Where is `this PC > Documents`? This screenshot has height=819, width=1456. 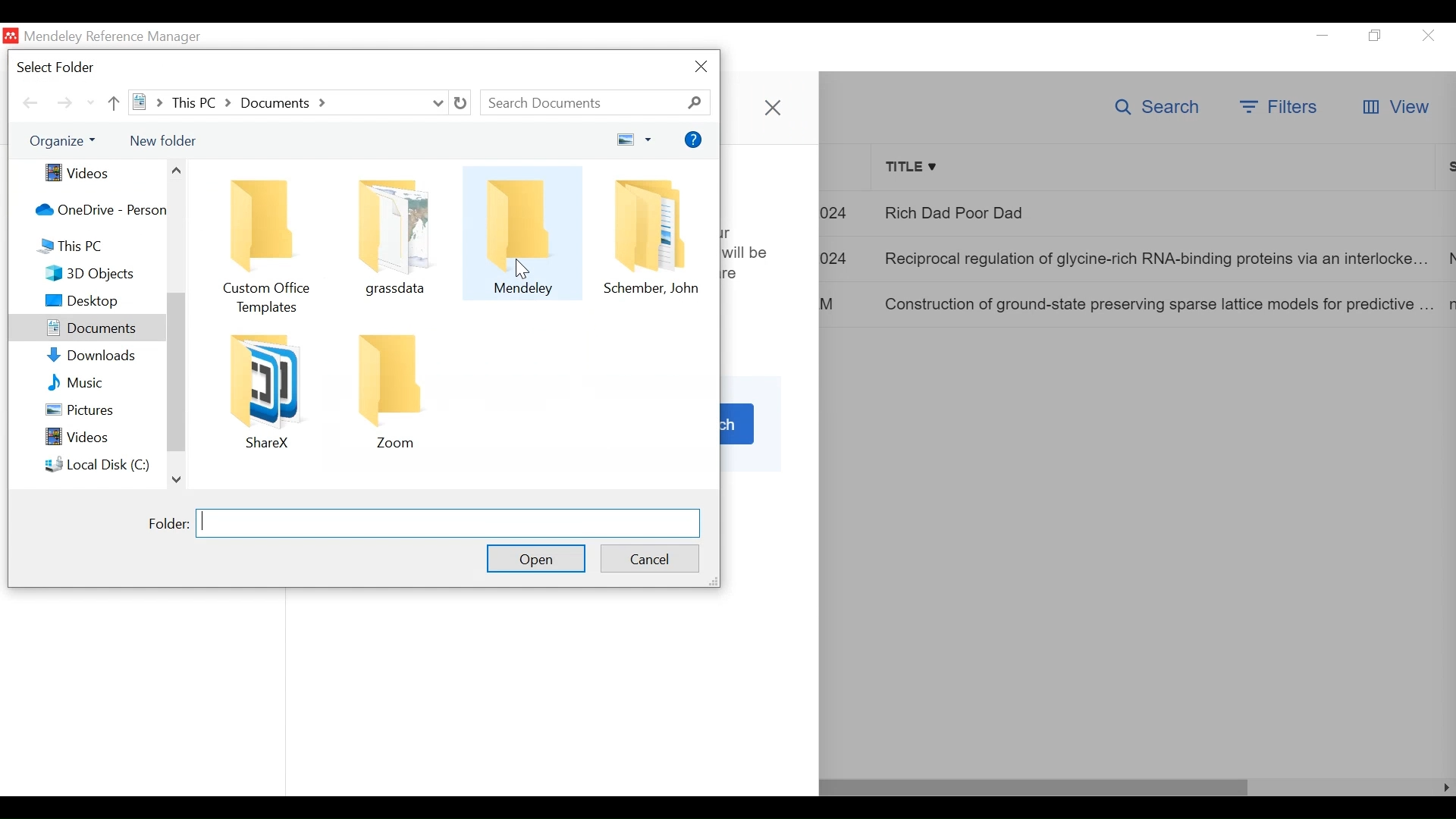
this PC > Documents is located at coordinates (288, 102).